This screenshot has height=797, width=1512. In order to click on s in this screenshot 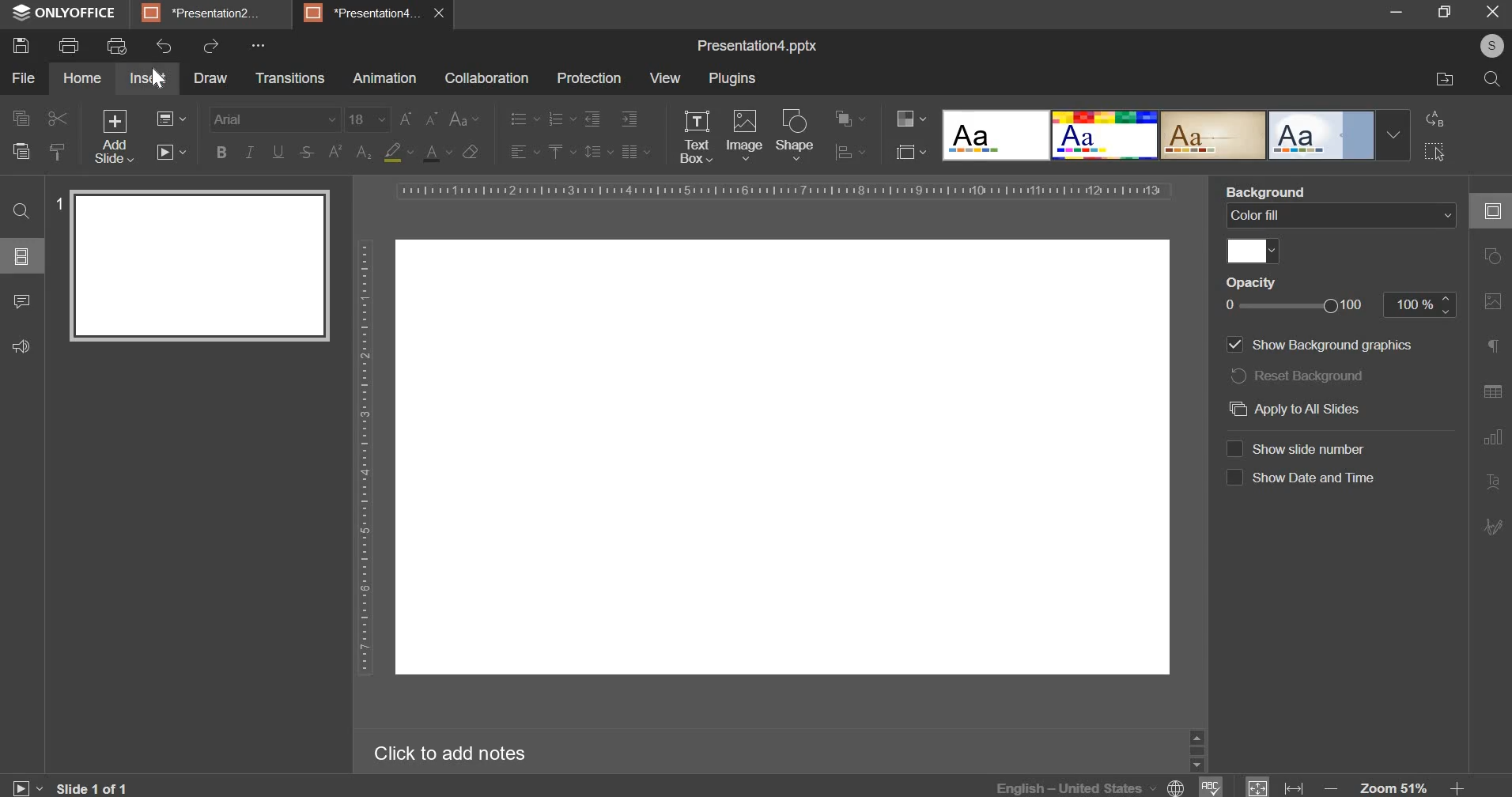, I will do `click(1493, 45)`.